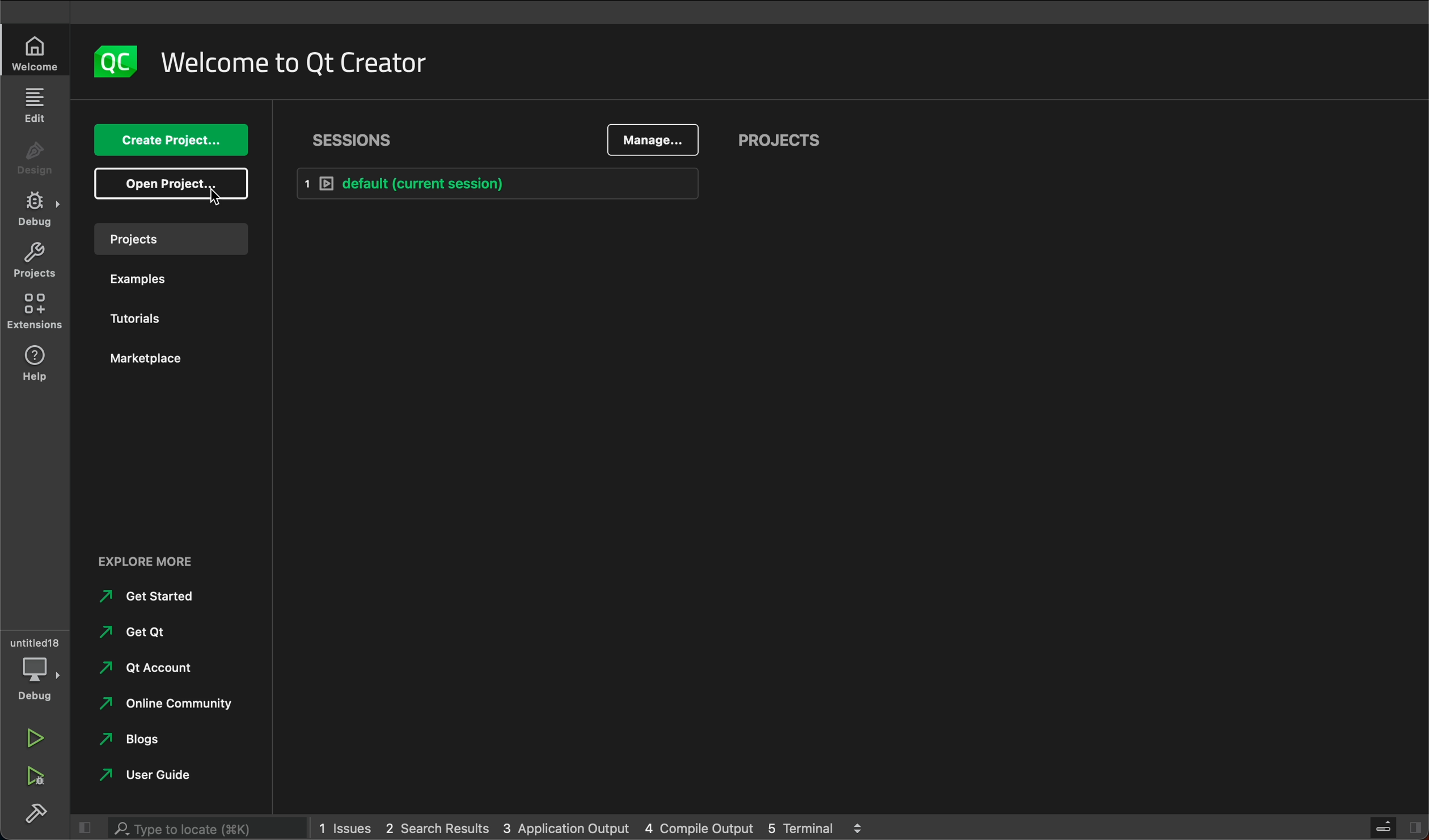 The width and height of the screenshot is (1429, 840). What do you see at coordinates (859, 826) in the screenshot?
I see `navigator` at bounding box center [859, 826].